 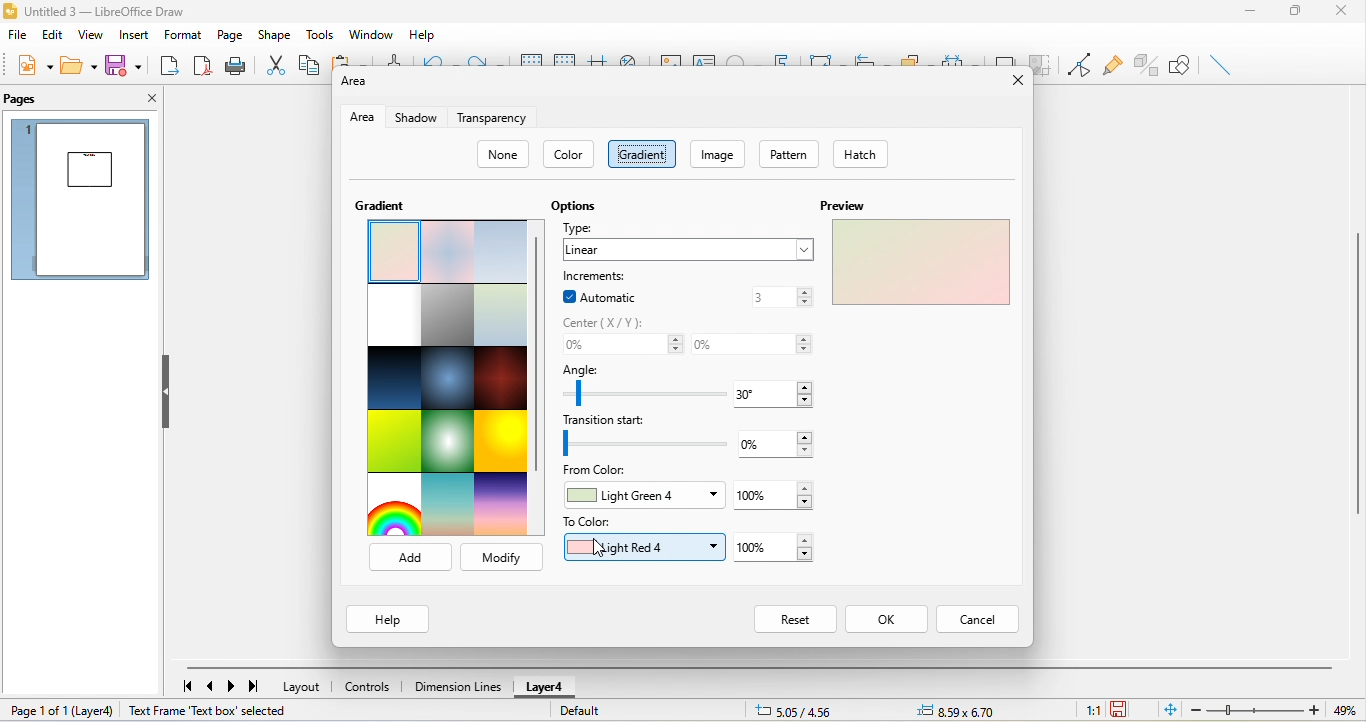 I want to click on preview, so click(x=918, y=264).